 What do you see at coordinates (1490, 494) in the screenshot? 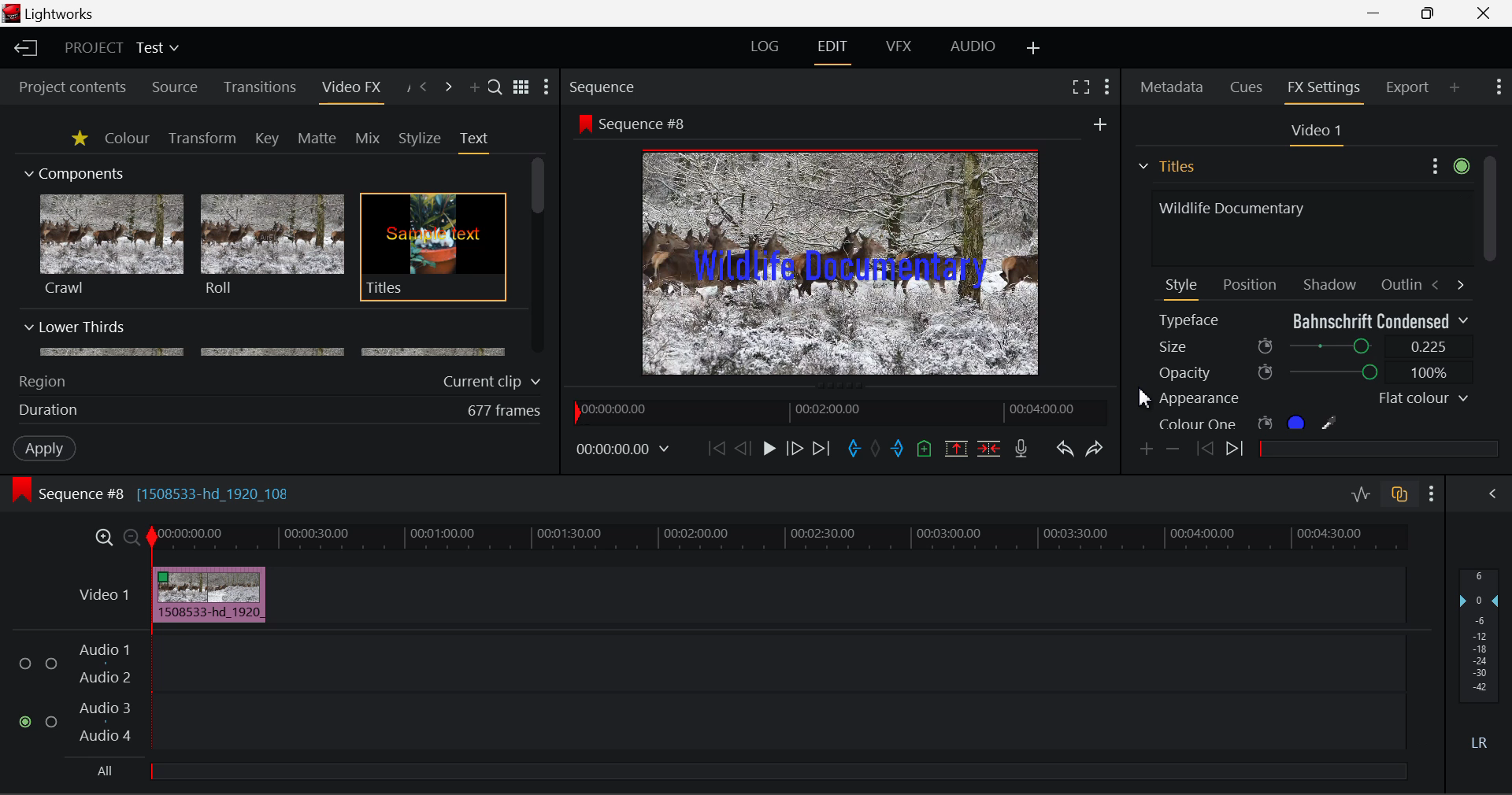
I see `Show Audio Mix` at bounding box center [1490, 494].